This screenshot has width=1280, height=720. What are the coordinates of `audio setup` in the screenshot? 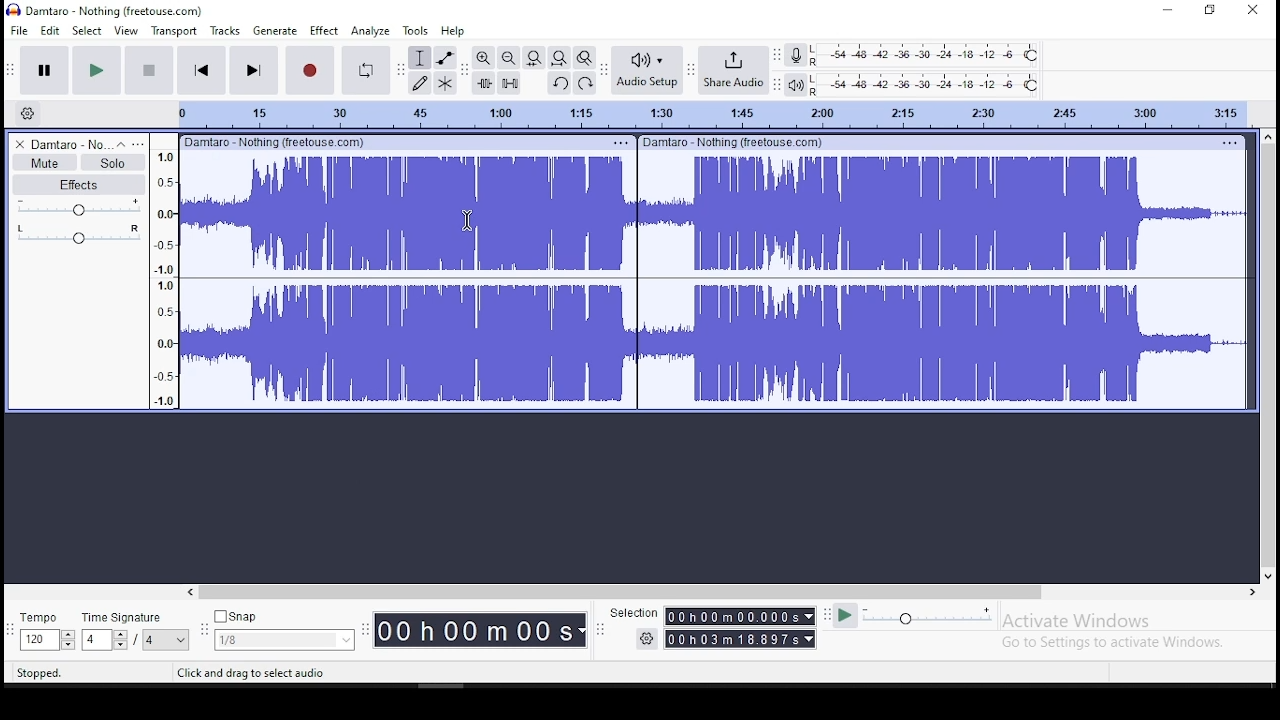 It's located at (646, 71).